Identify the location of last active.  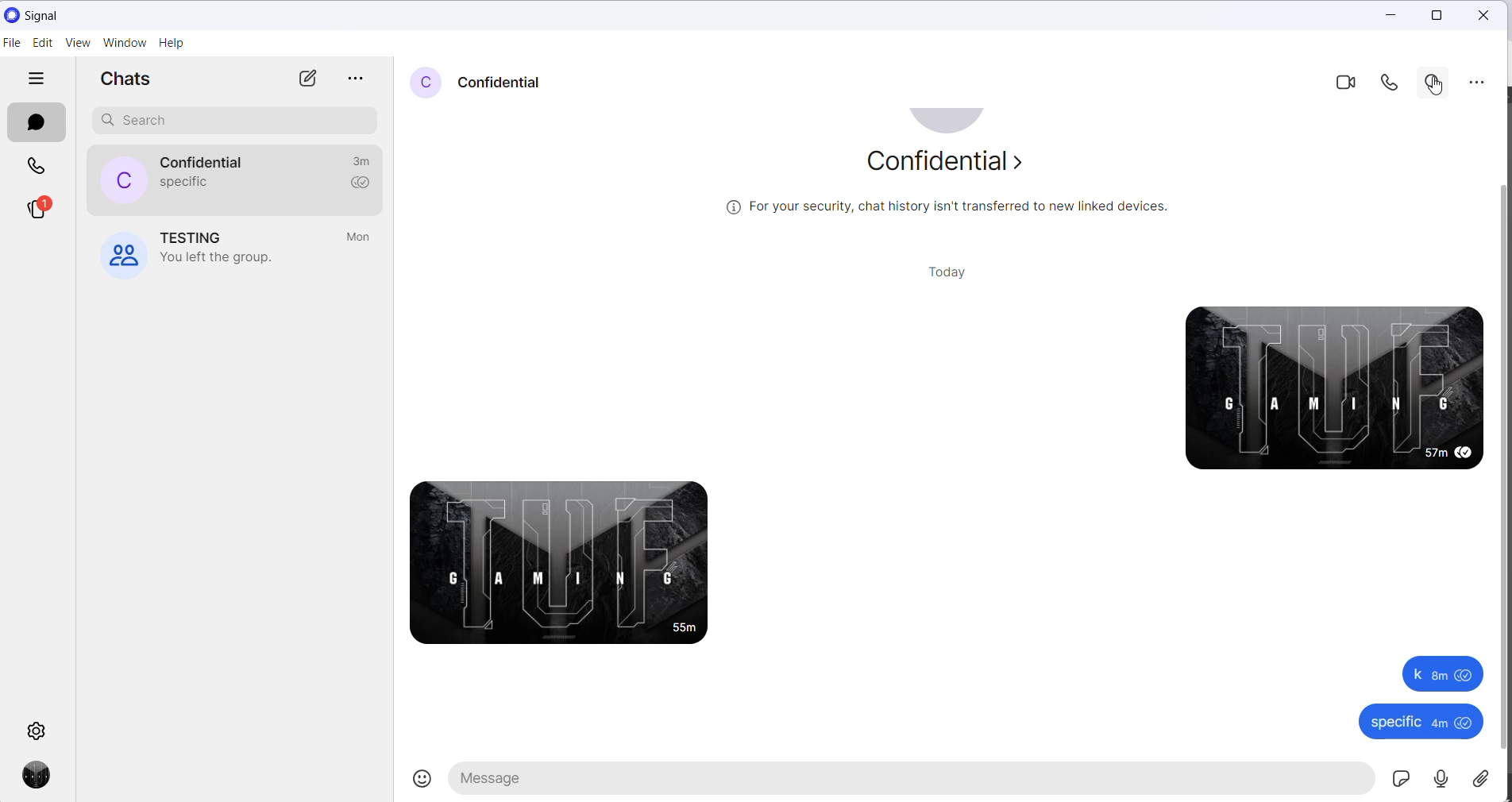
(361, 238).